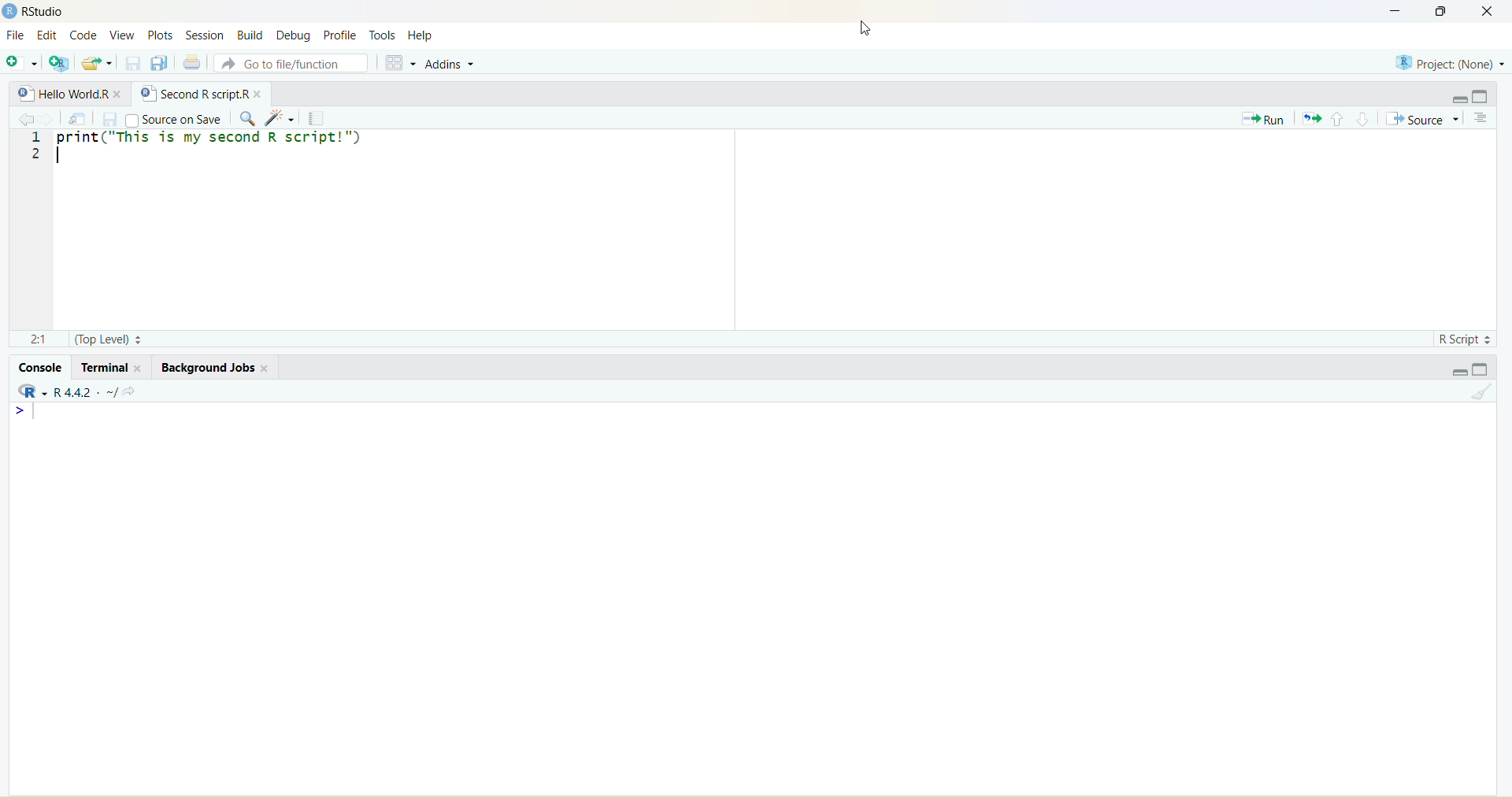 The height and width of the screenshot is (797, 1512). Describe the element at coordinates (109, 367) in the screenshot. I see `Terminal` at that location.